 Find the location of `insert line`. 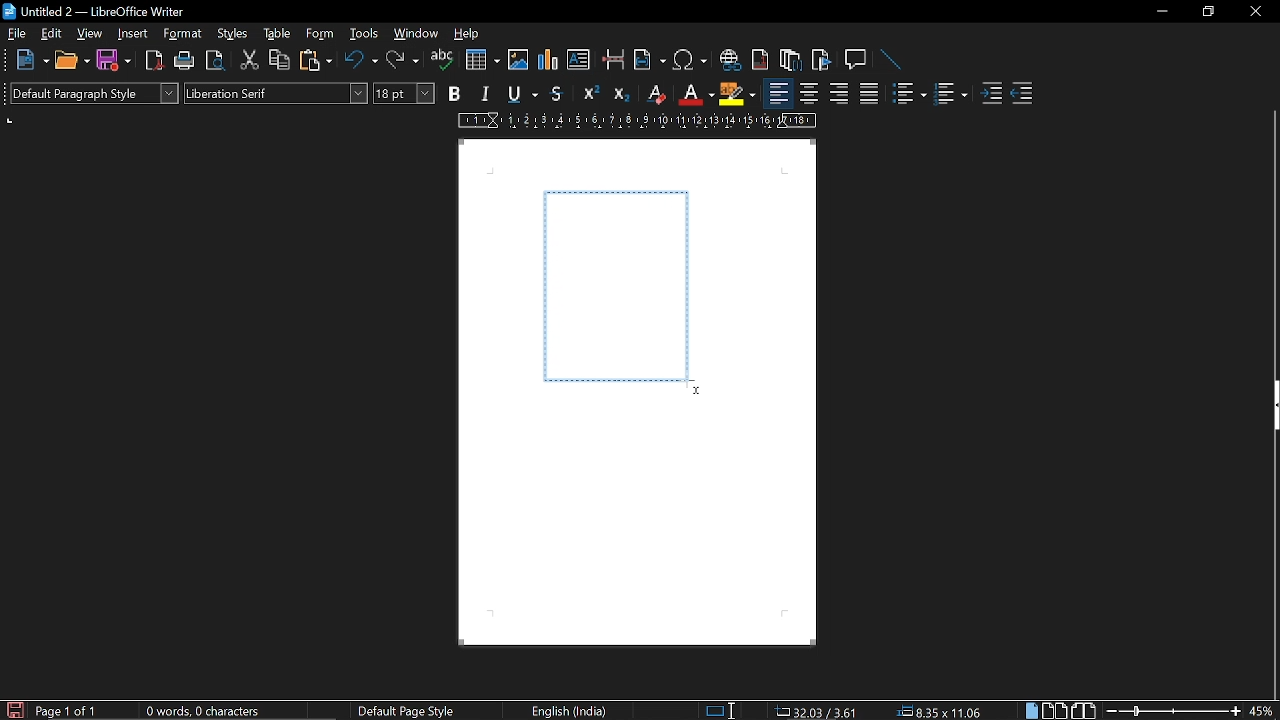

insert line is located at coordinates (886, 59).